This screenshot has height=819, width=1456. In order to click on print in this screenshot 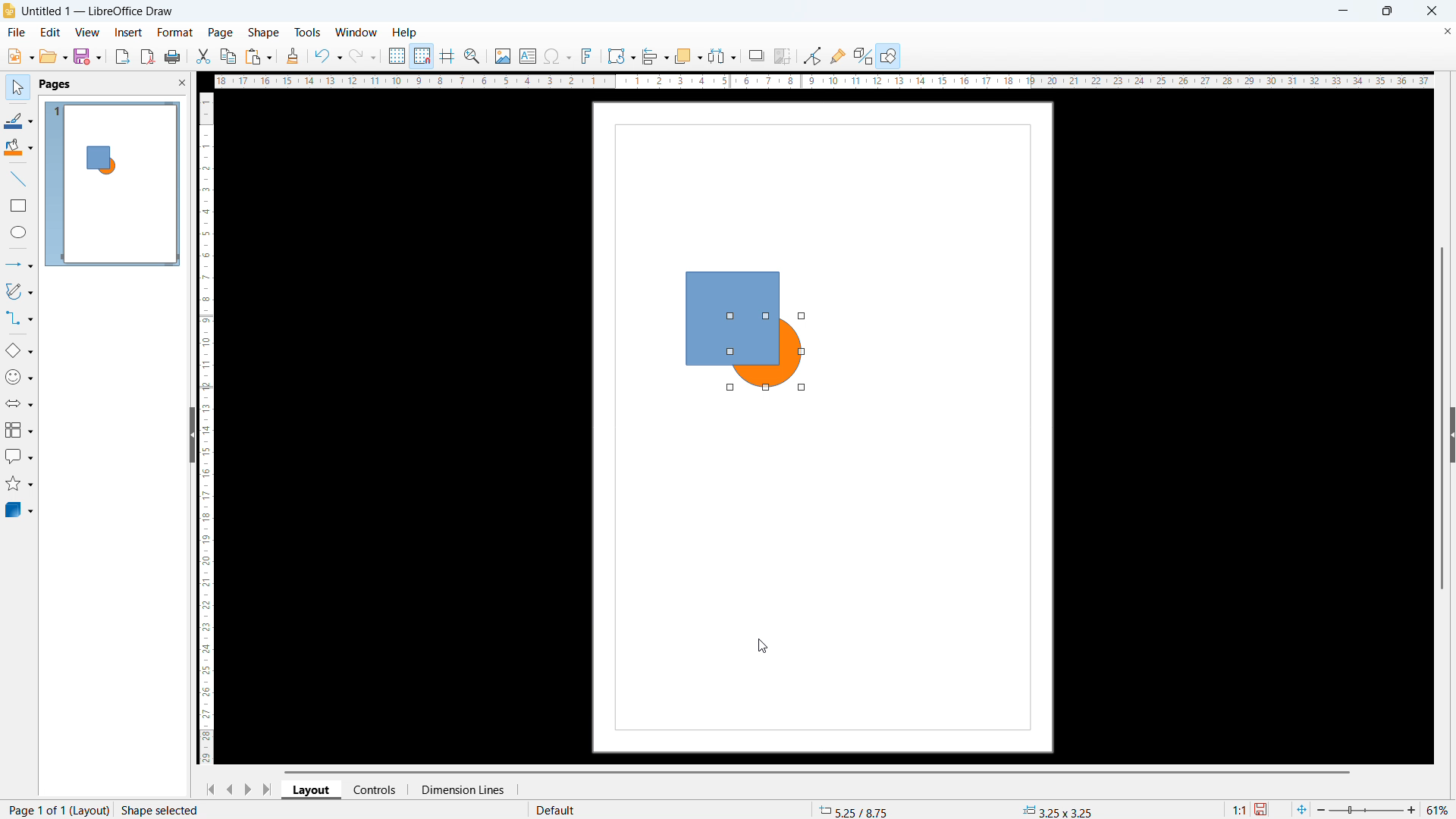, I will do `click(172, 55)`.